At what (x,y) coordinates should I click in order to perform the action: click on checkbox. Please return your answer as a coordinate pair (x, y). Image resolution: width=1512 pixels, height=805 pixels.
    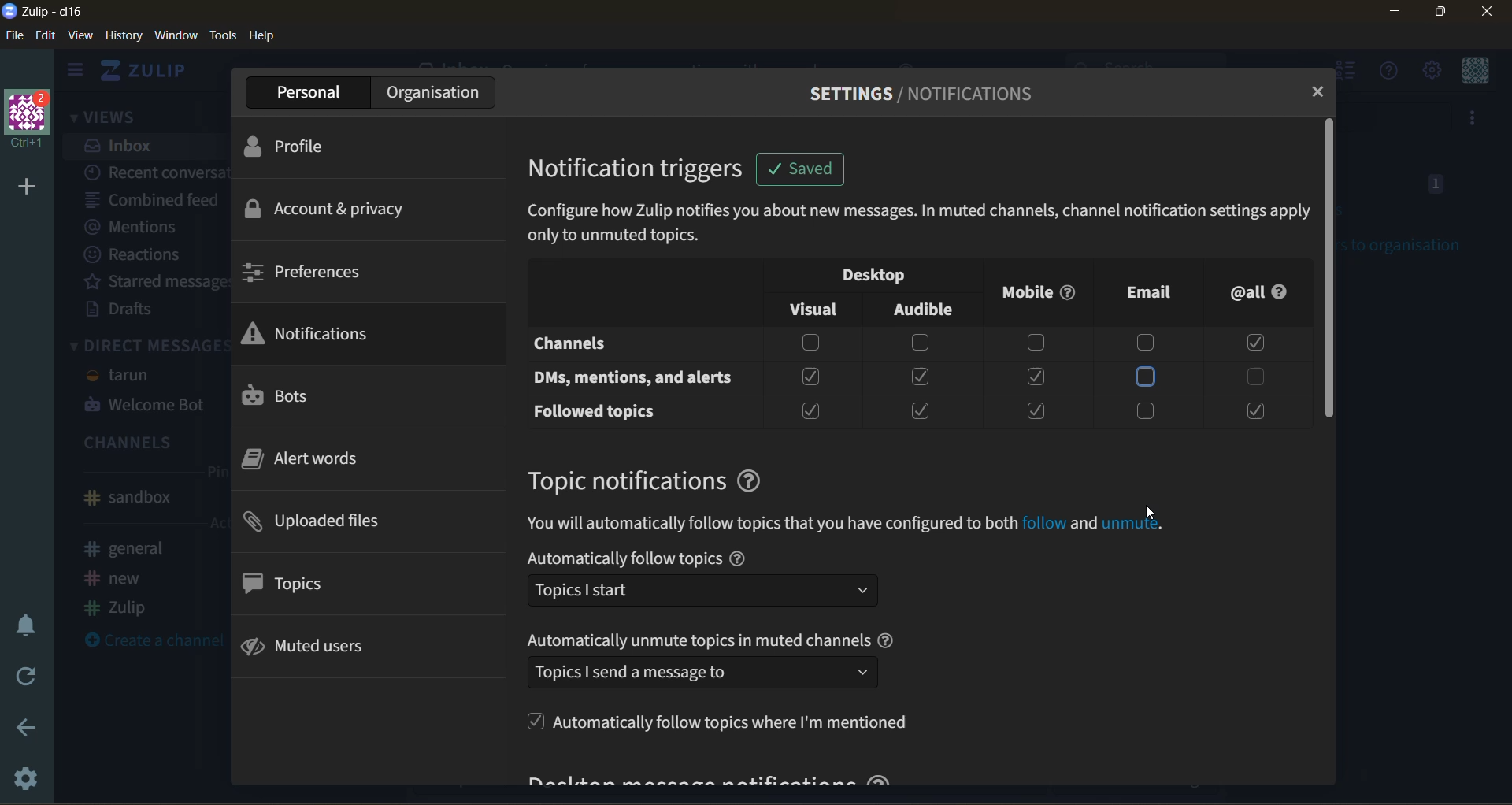
    Looking at the image, I should click on (1035, 377).